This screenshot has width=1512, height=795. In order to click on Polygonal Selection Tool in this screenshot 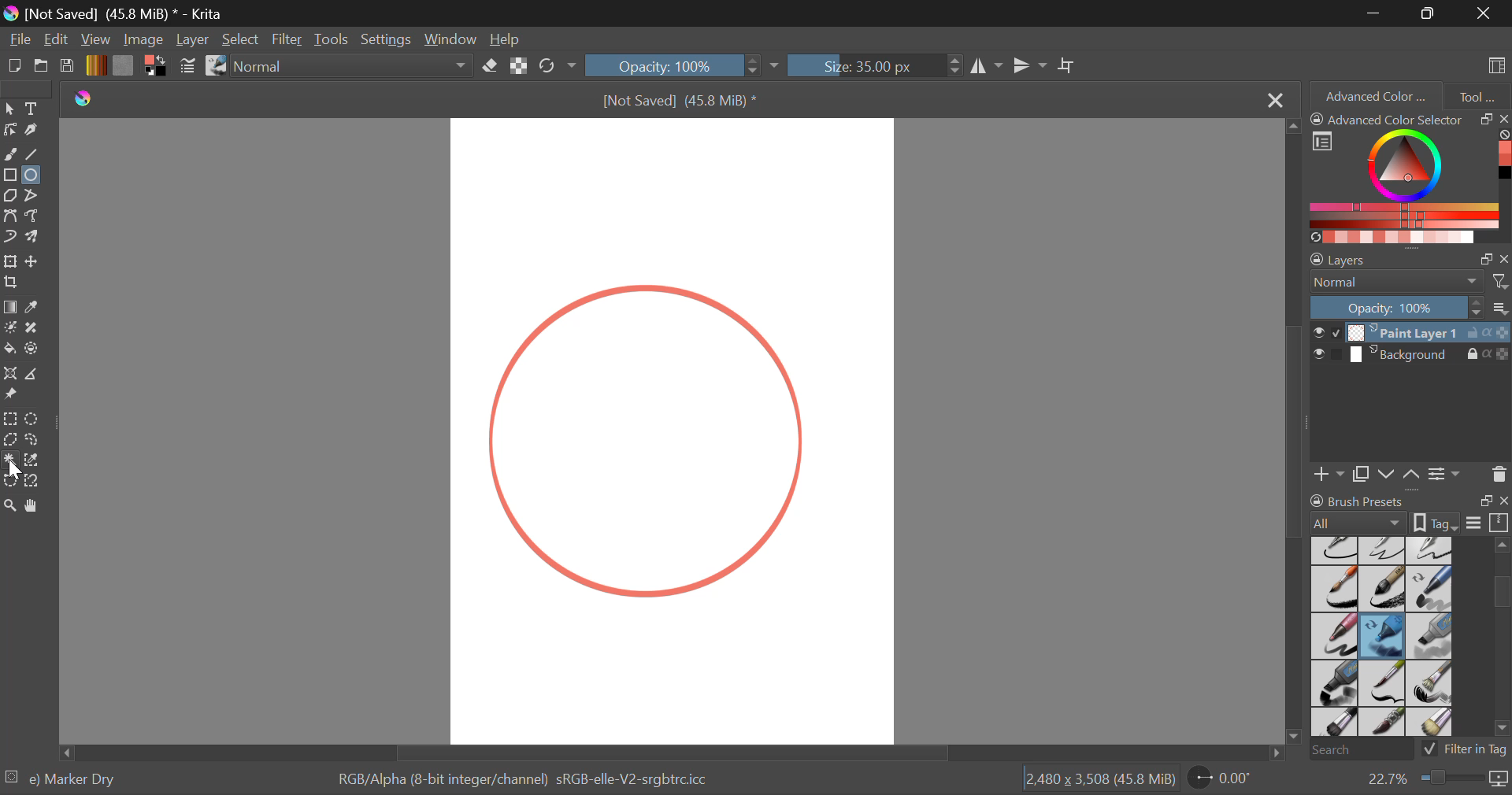, I will do `click(10, 438)`.